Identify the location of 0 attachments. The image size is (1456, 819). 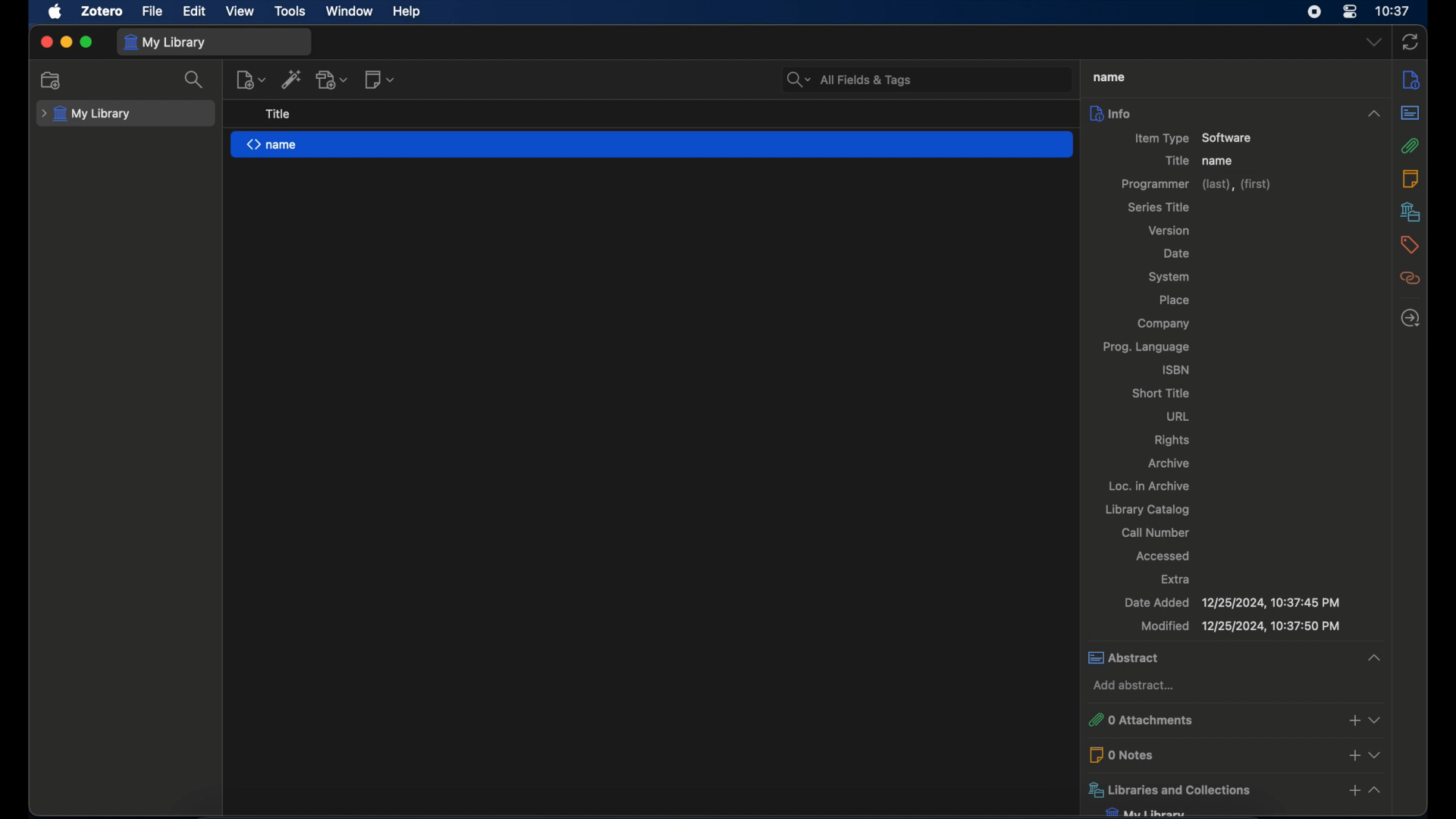
(1210, 718).